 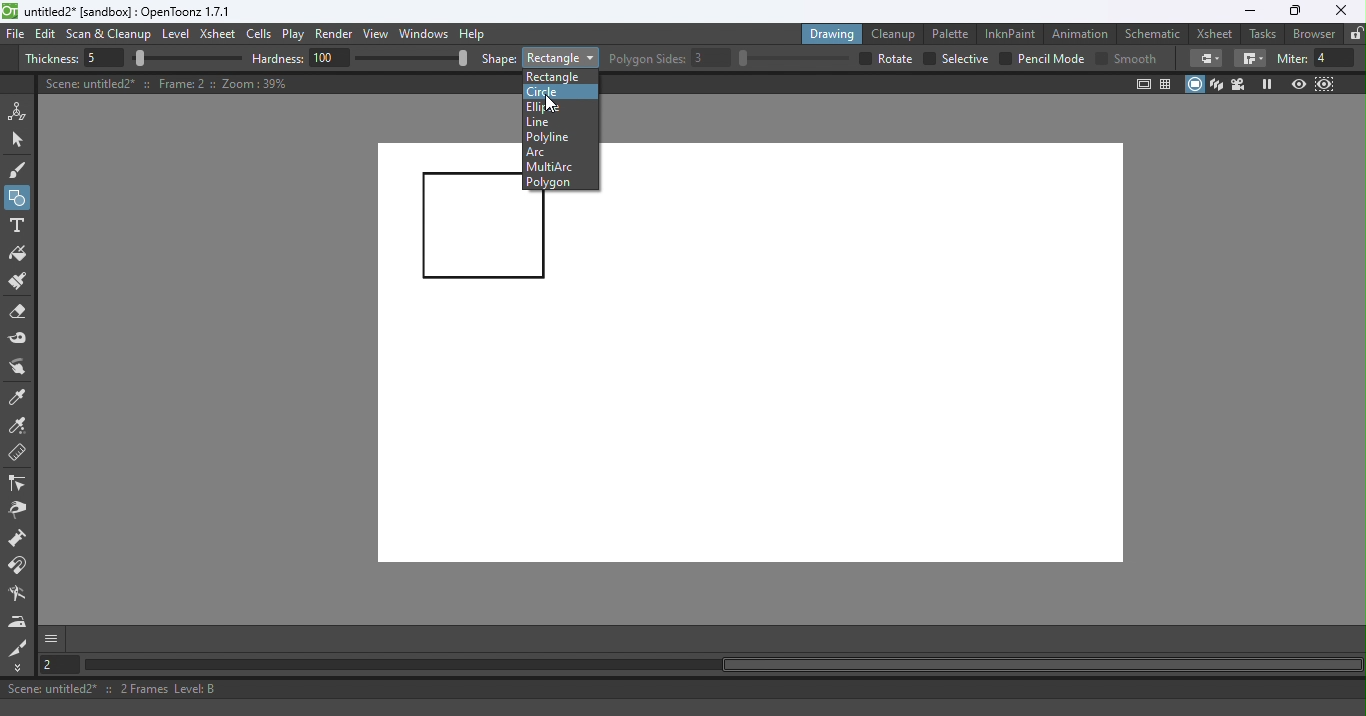 What do you see at coordinates (863, 58) in the screenshot?
I see `checkbox` at bounding box center [863, 58].